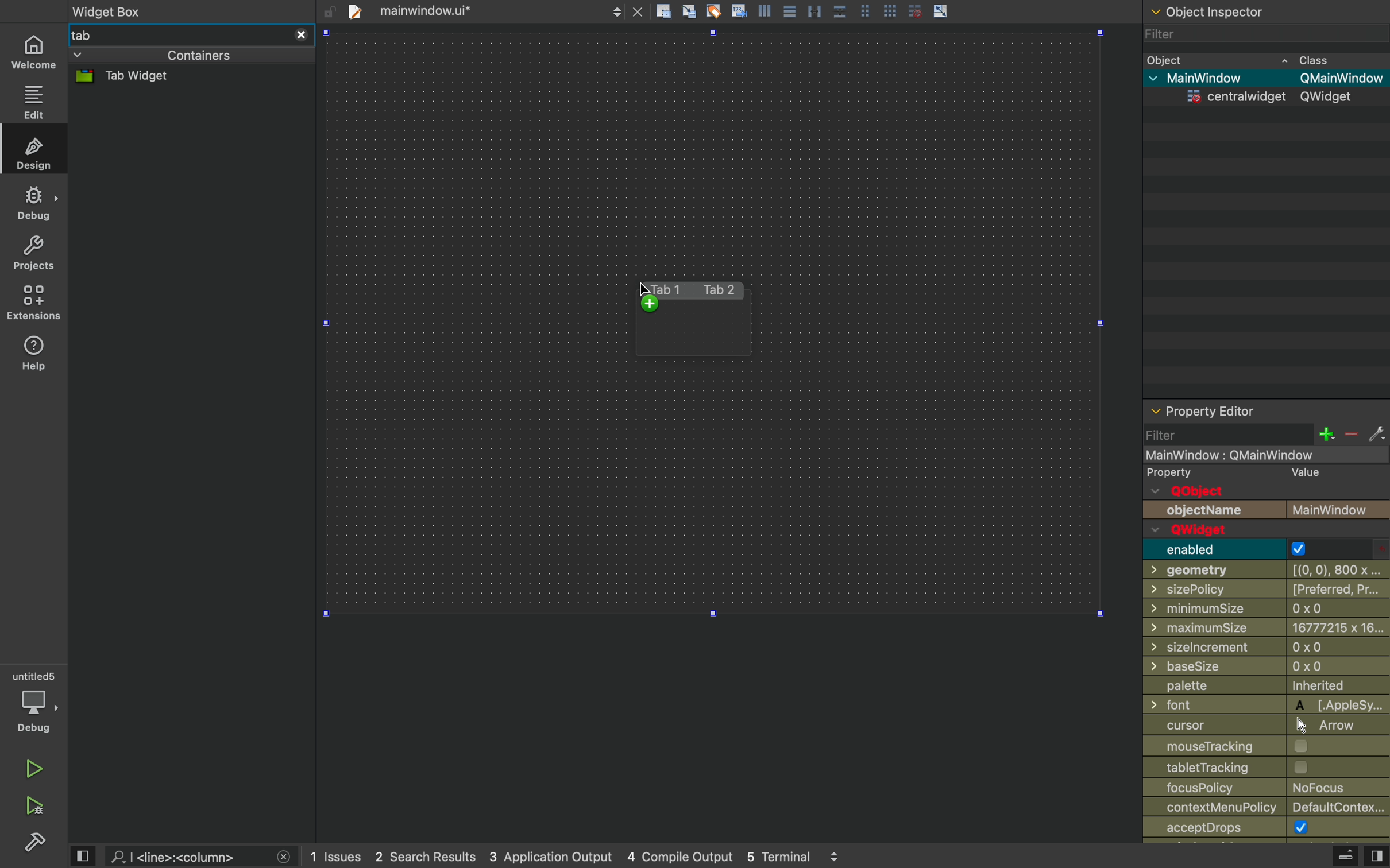 Image resolution: width=1390 pixels, height=868 pixels. What do you see at coordinates (713, 10) in the screenshot?
I see `tagging` at bounding box center [713, 10].